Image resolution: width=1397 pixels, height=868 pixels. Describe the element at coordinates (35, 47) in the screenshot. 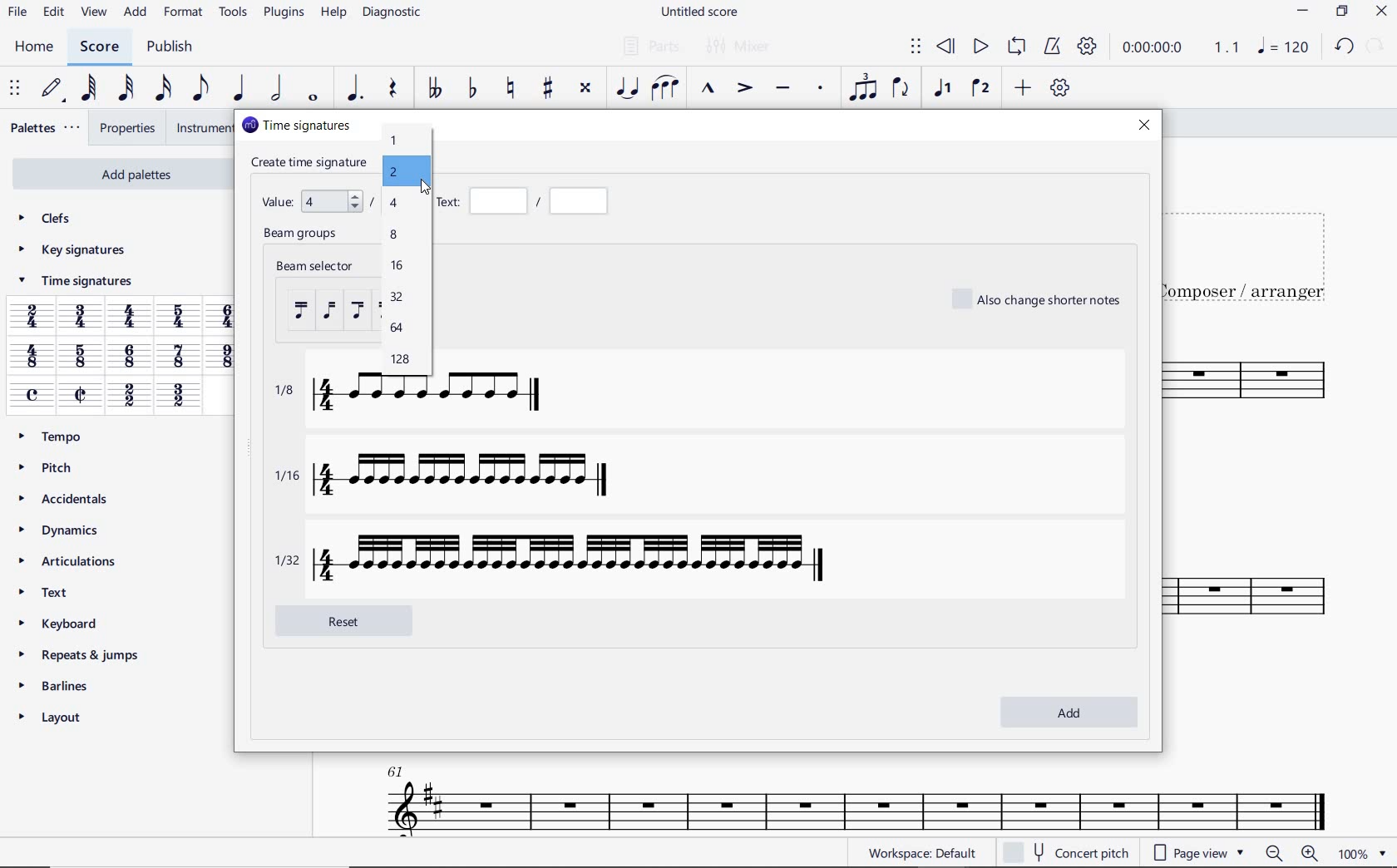

I see `HOME` at that location.